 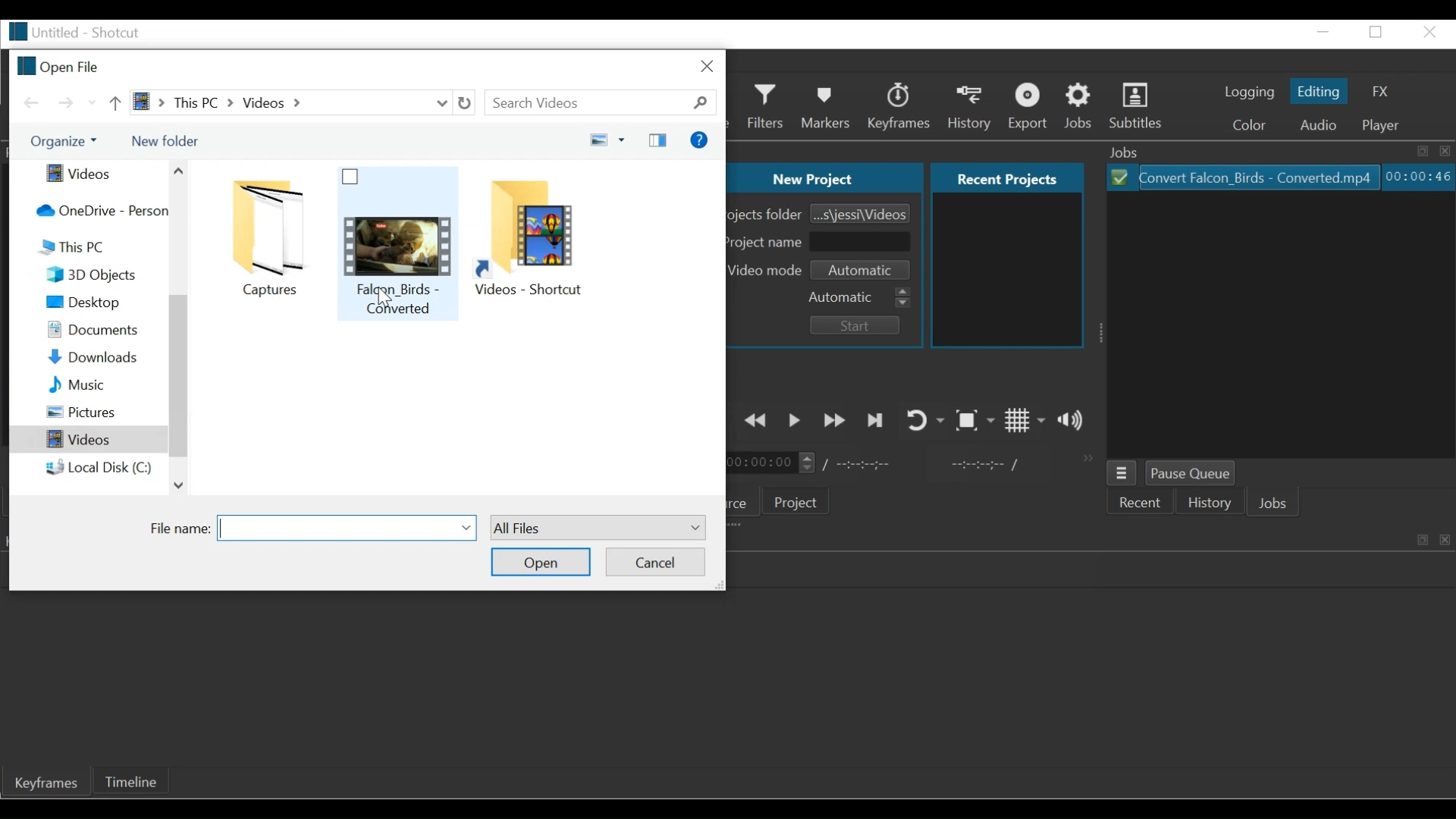 I want to click on Play quickly backward, so click(x=755, y=419).